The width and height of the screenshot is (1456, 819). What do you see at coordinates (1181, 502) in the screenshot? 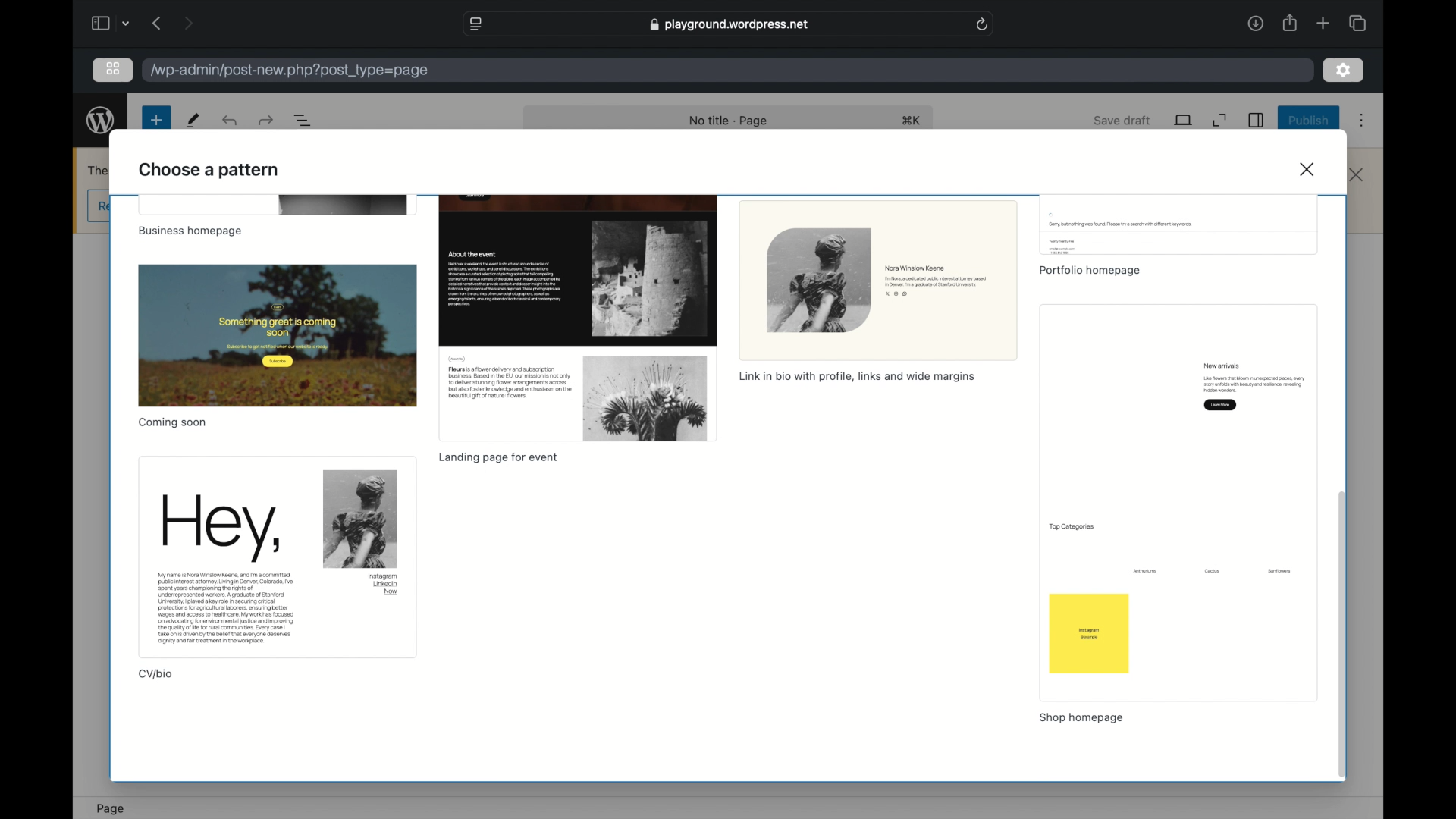
I see `preview` at bounding box center [1181, 502].